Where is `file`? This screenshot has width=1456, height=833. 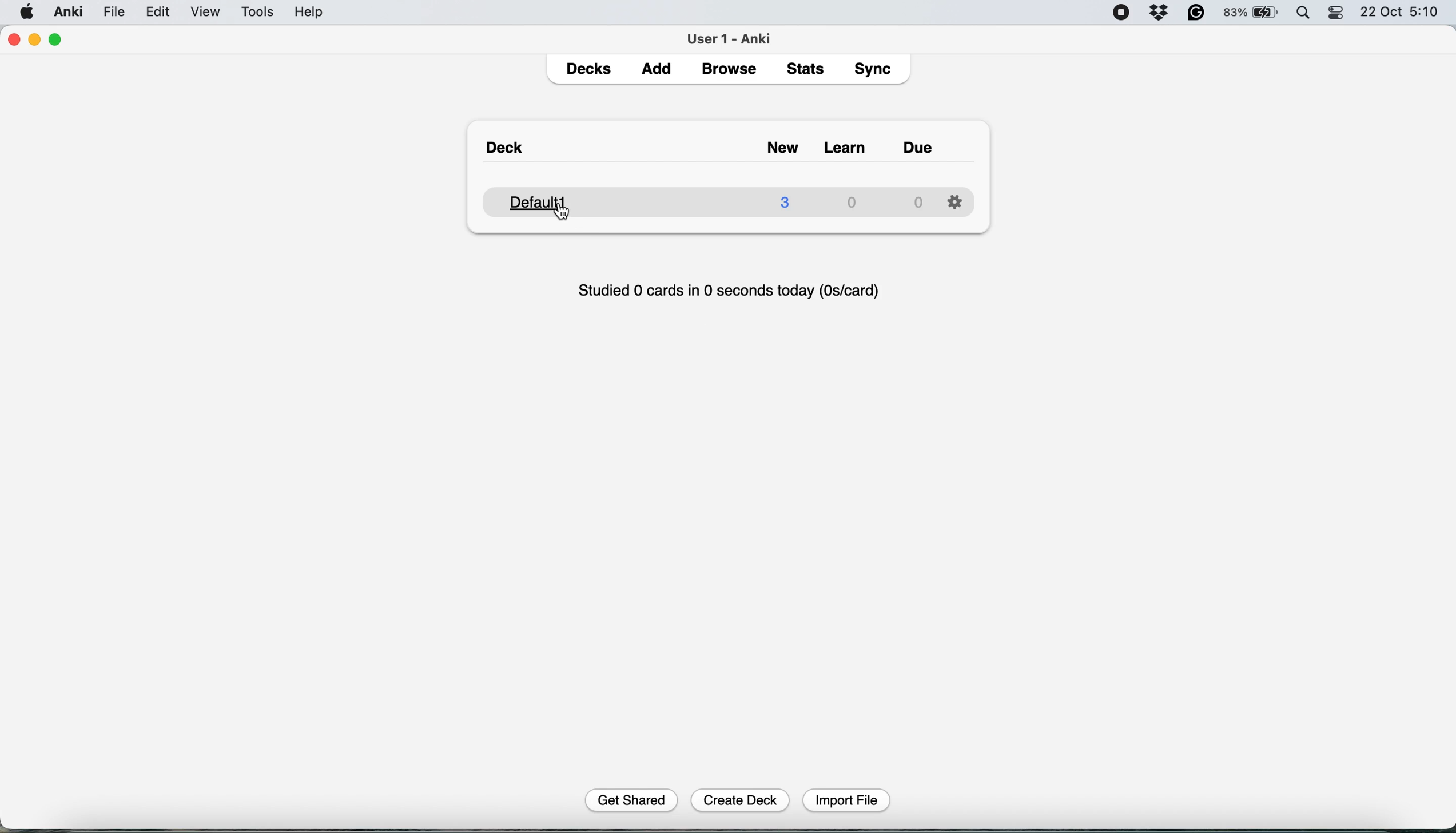 file is located at coordinates (114, 12).